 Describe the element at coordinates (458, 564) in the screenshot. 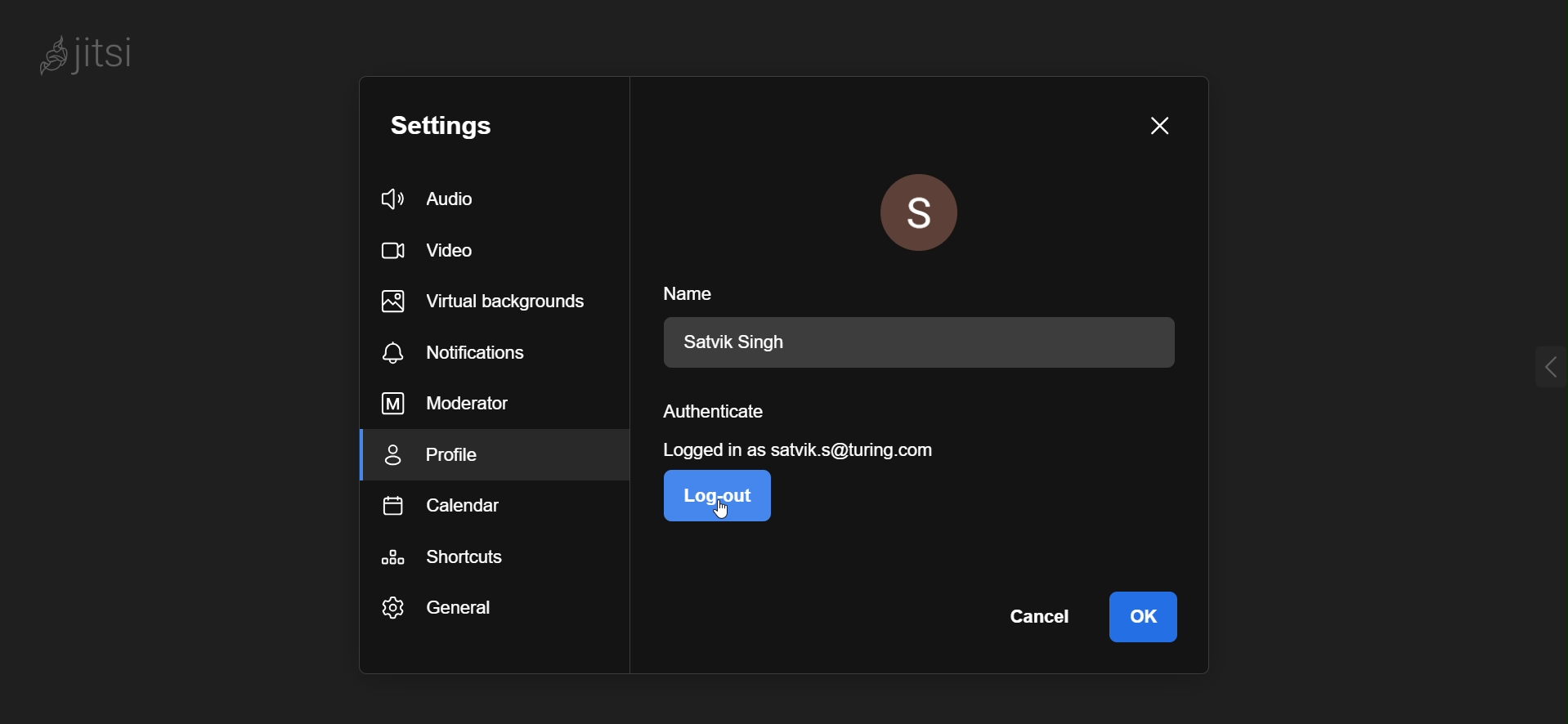

I see `shortcuts` at that location.